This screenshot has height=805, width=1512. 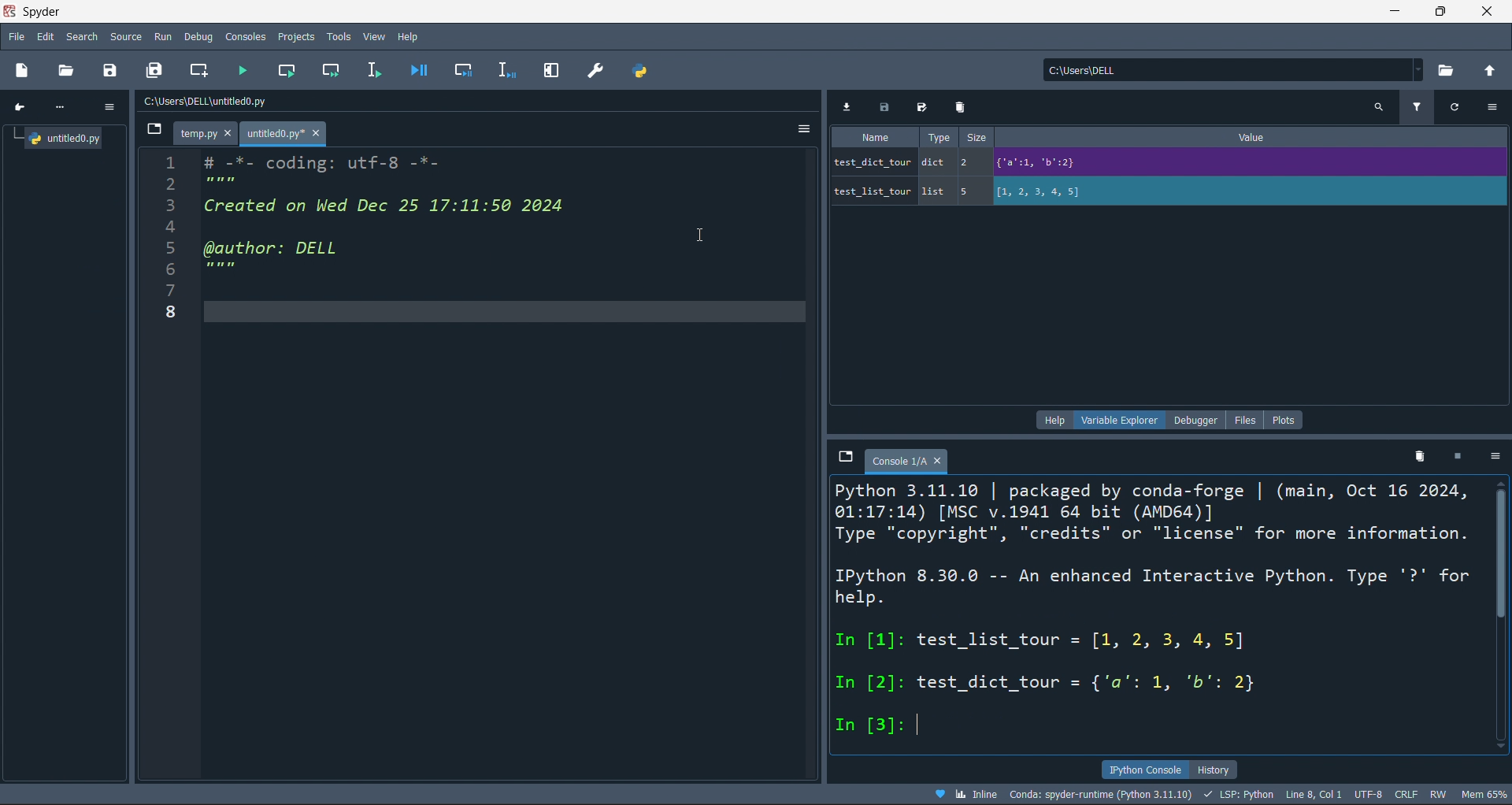 I want to click on save all, so click(x=921, y=106).